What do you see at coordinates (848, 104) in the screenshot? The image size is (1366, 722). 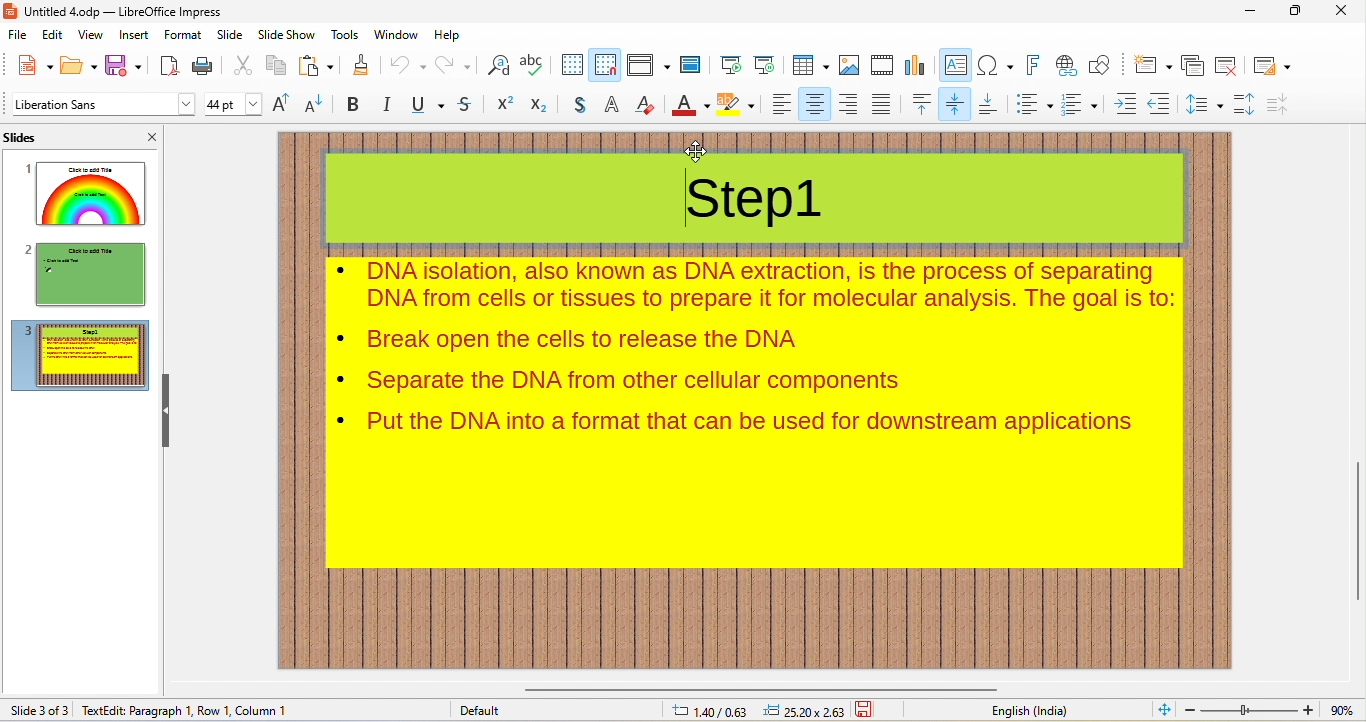 I see `align right` at bounding box center [848, 104].